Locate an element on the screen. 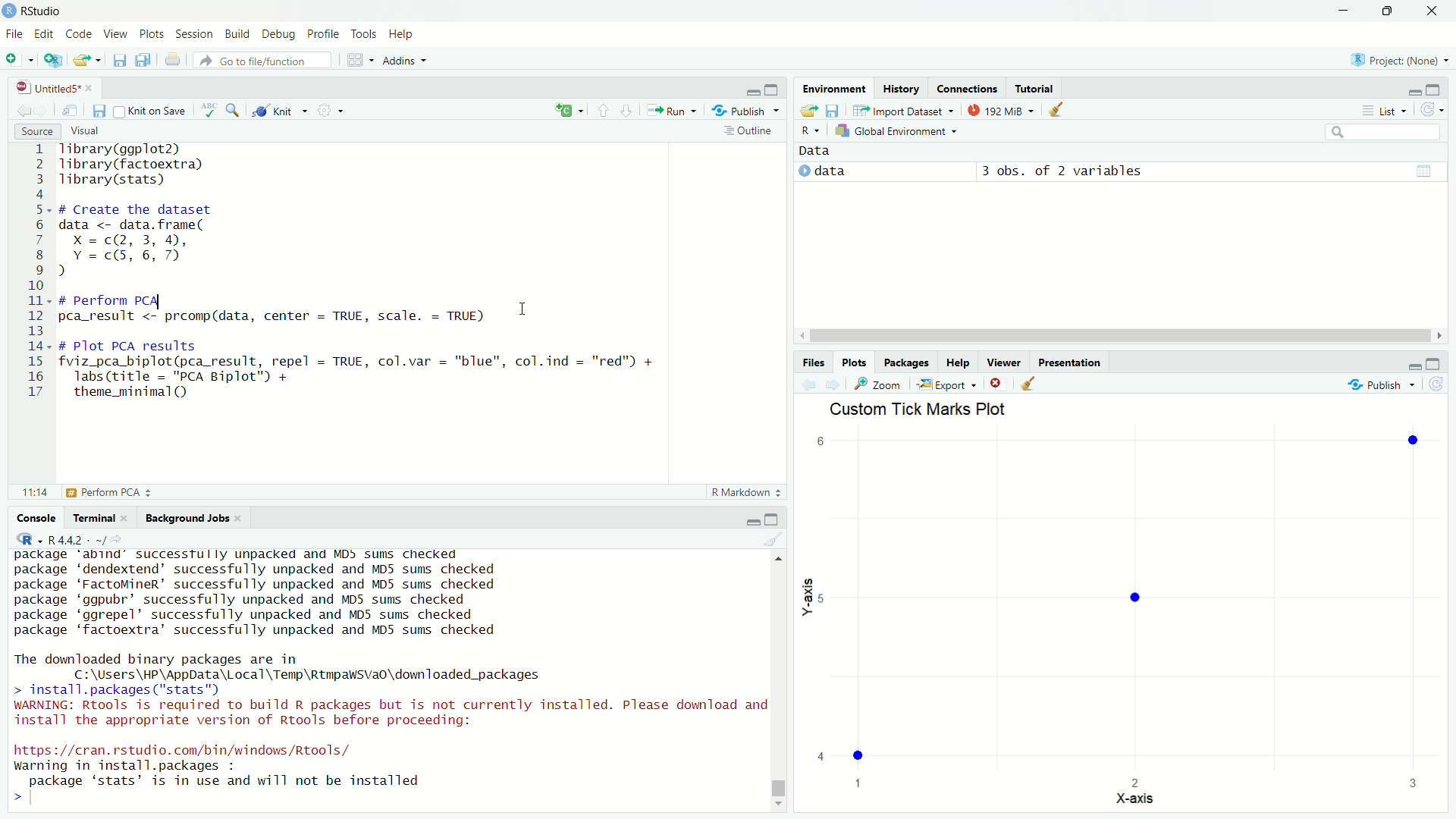  save current document is located at coordinates (100, 111).